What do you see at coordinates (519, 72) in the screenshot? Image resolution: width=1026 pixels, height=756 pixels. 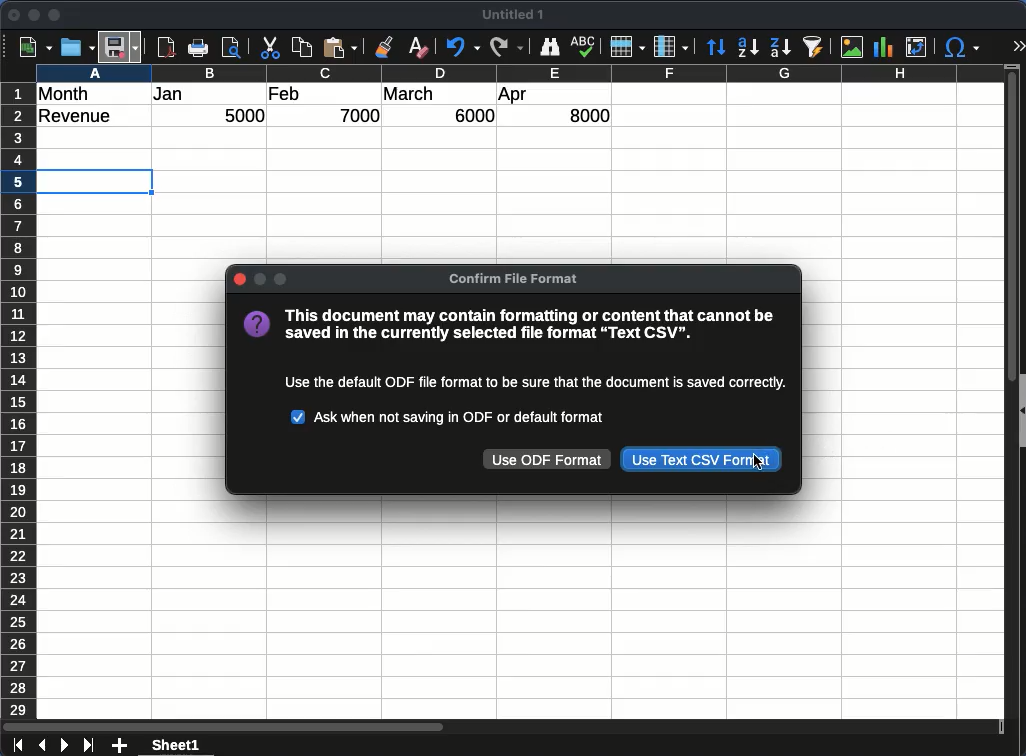 I see `column` at bounding box center [519, 72].